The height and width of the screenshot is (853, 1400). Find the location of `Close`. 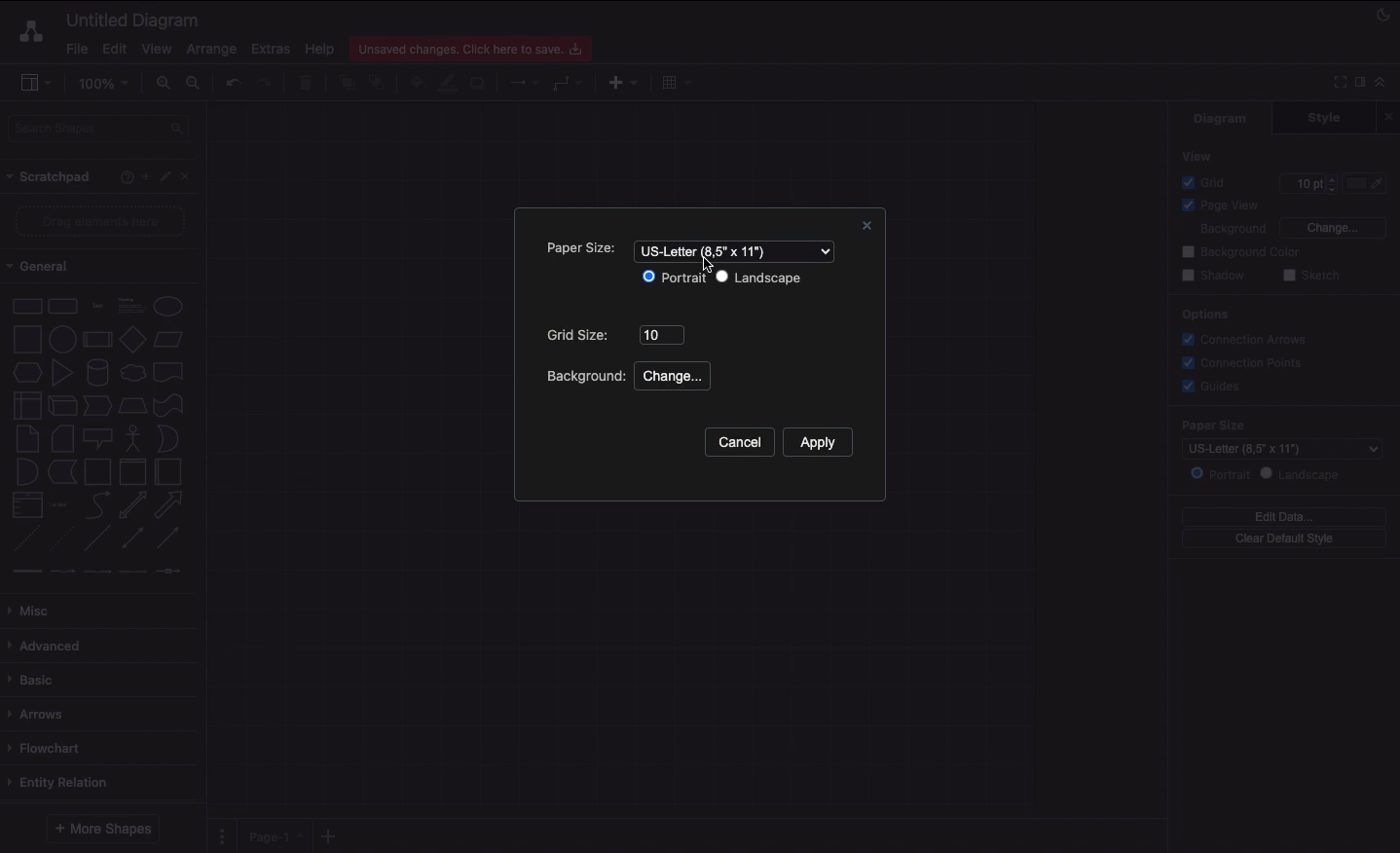

Close is located at coordinates (191, 175).